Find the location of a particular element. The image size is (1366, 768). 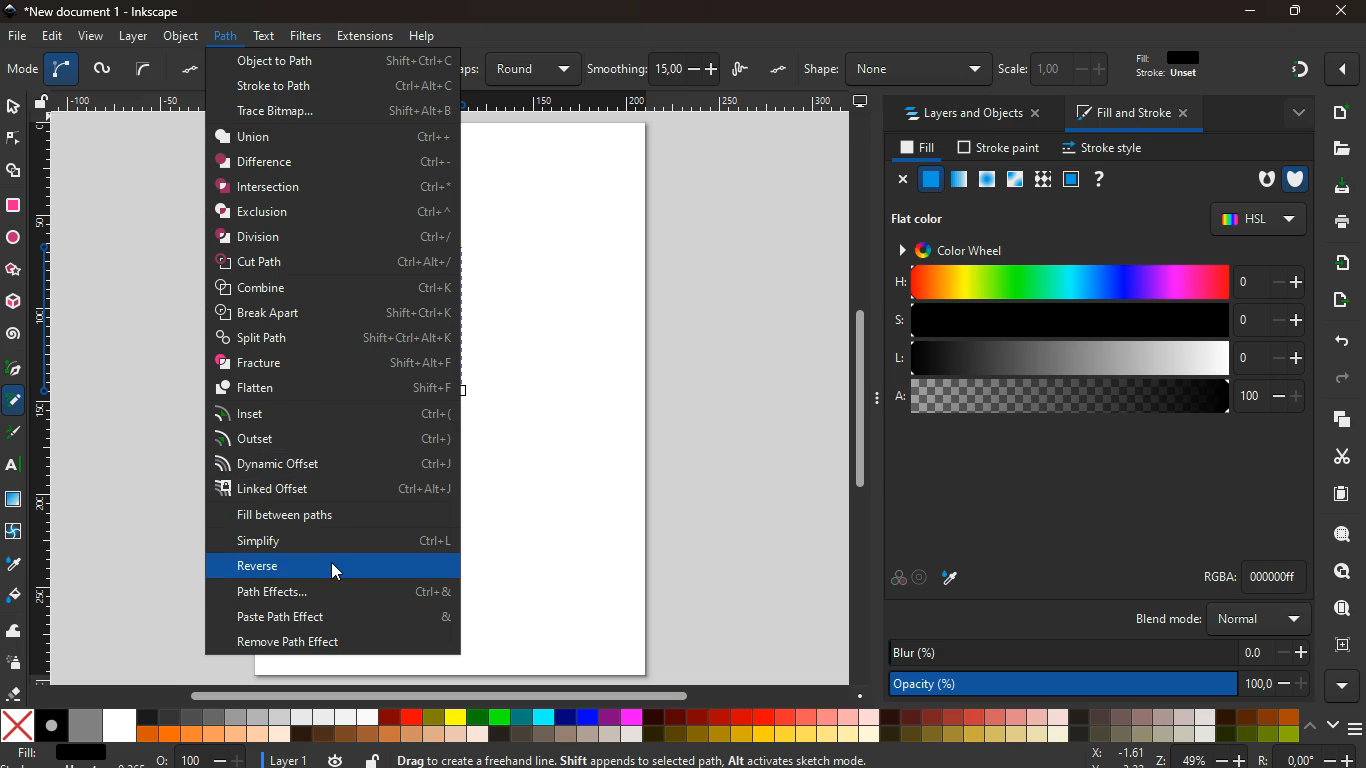

fill is located at coordinates (1177, 65).